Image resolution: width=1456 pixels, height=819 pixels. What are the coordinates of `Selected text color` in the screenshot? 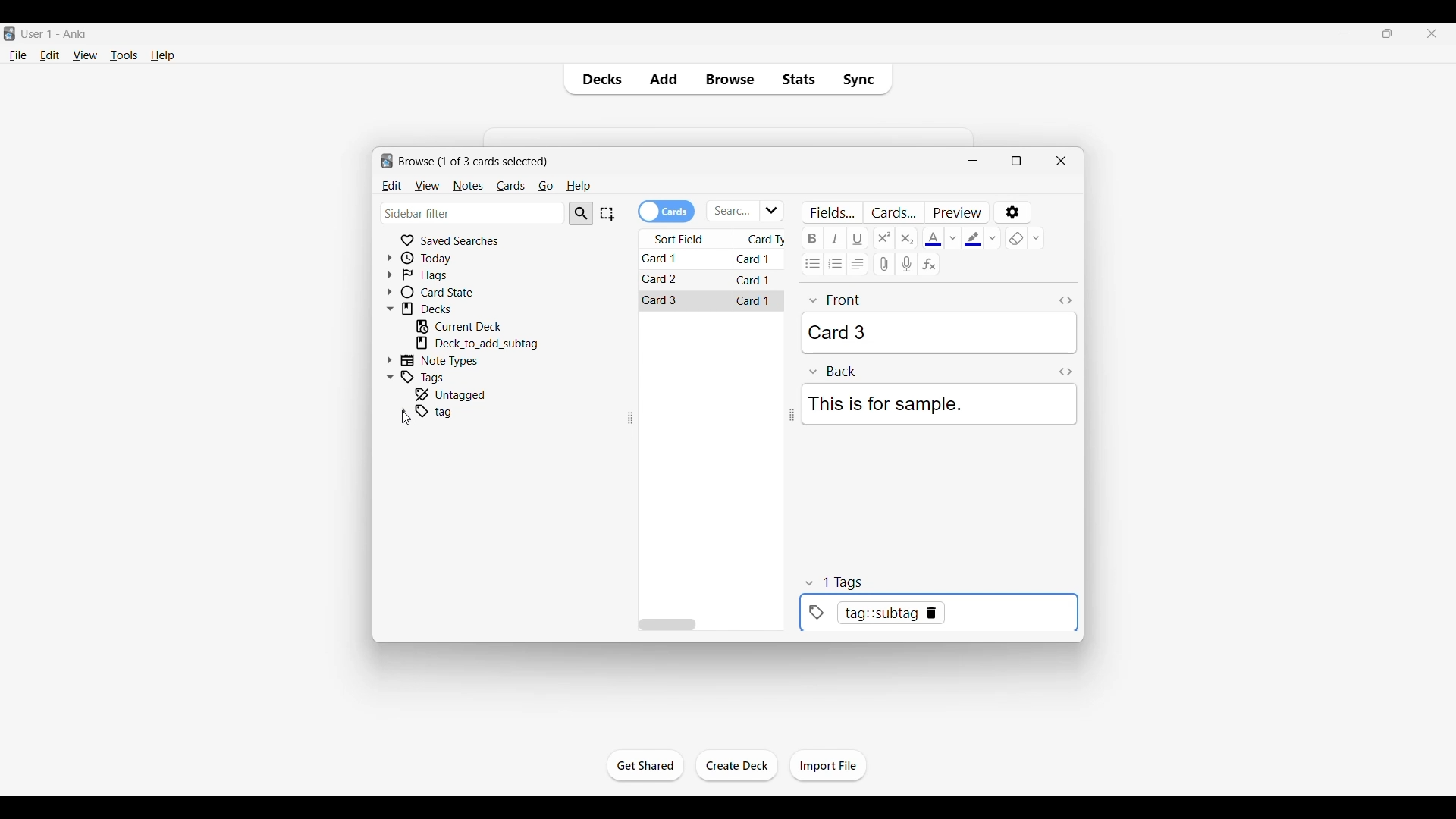 It's located at (933, 239).